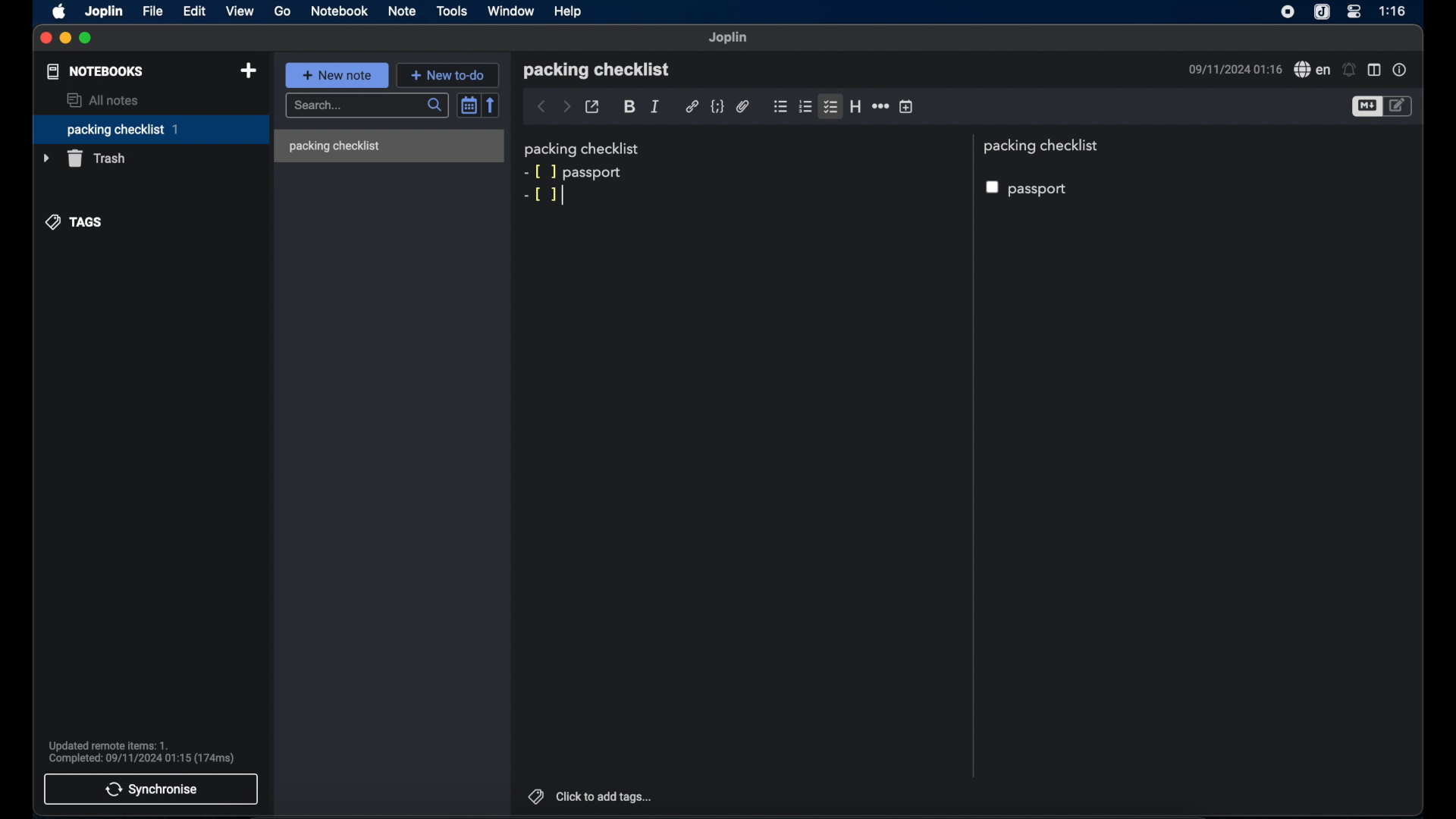 Image resolution: width=1456 pixels, height=819 pixels. Describe the element at coordinates (105, 12) in the screenshot. I see `joplin` at that location.